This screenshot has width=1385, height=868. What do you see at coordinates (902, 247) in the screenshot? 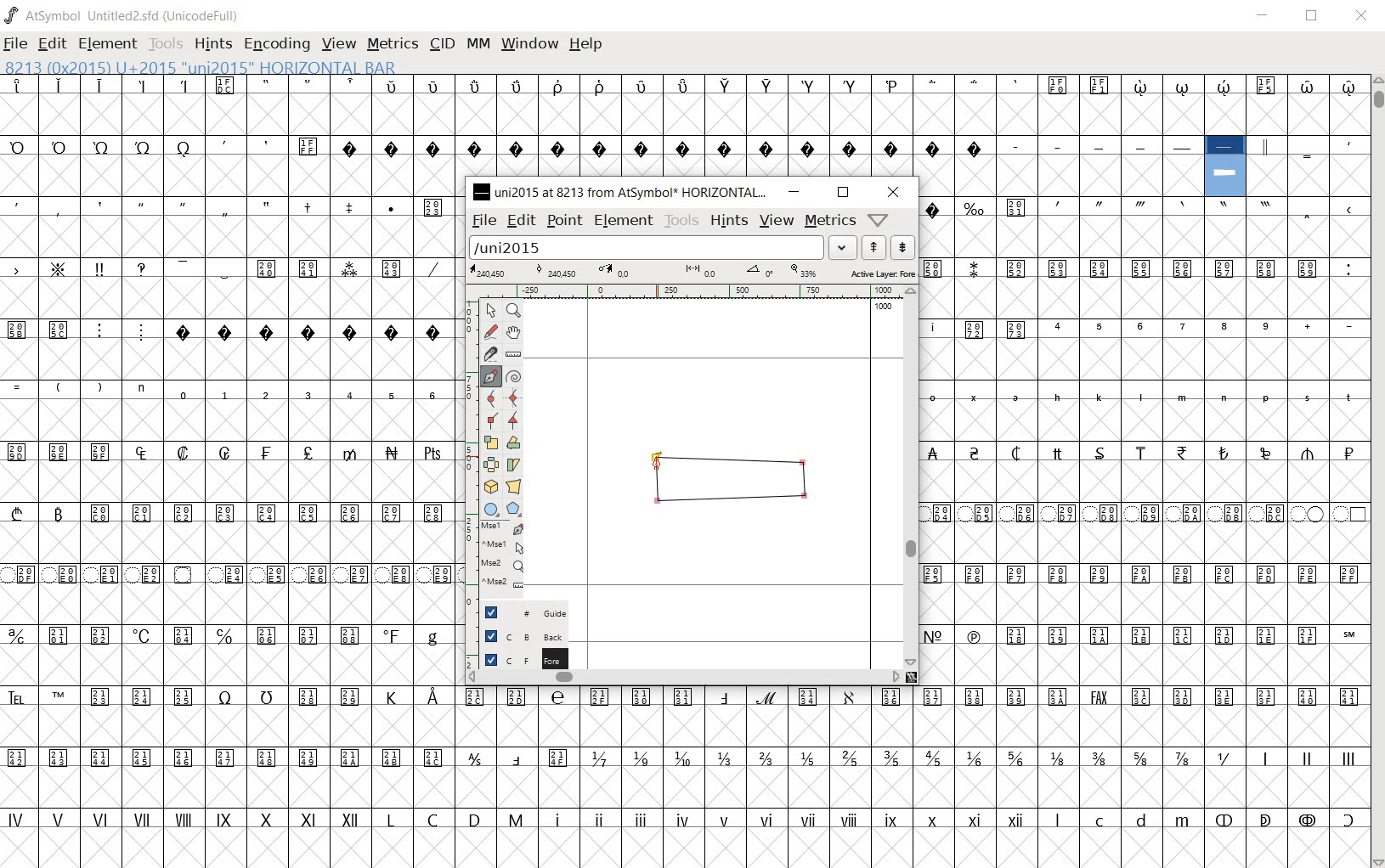
I see `show the previous word on the list` at bounding box center [902, 247].